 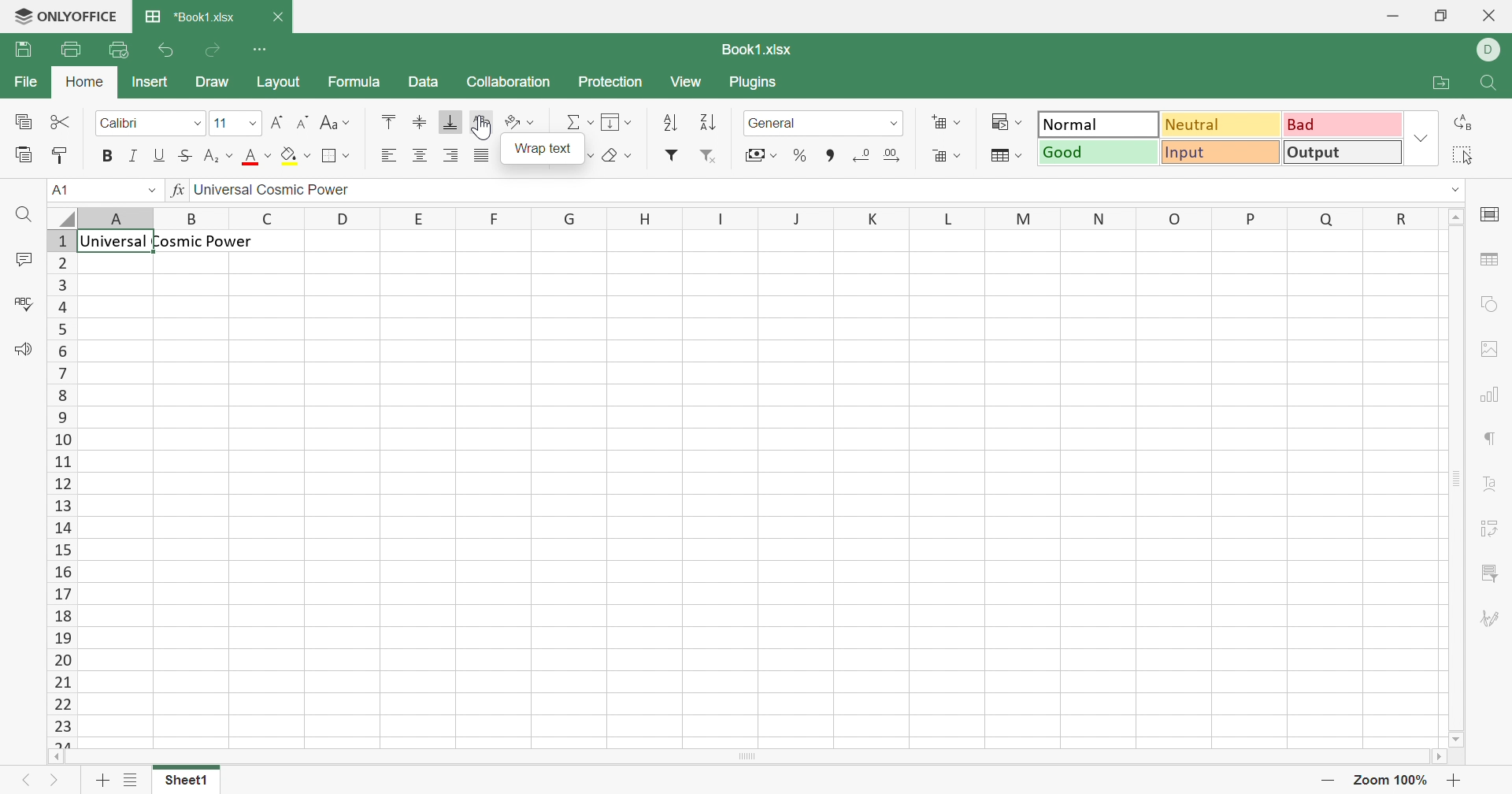 I want to click on Orientation, so click(x=521, y=121).